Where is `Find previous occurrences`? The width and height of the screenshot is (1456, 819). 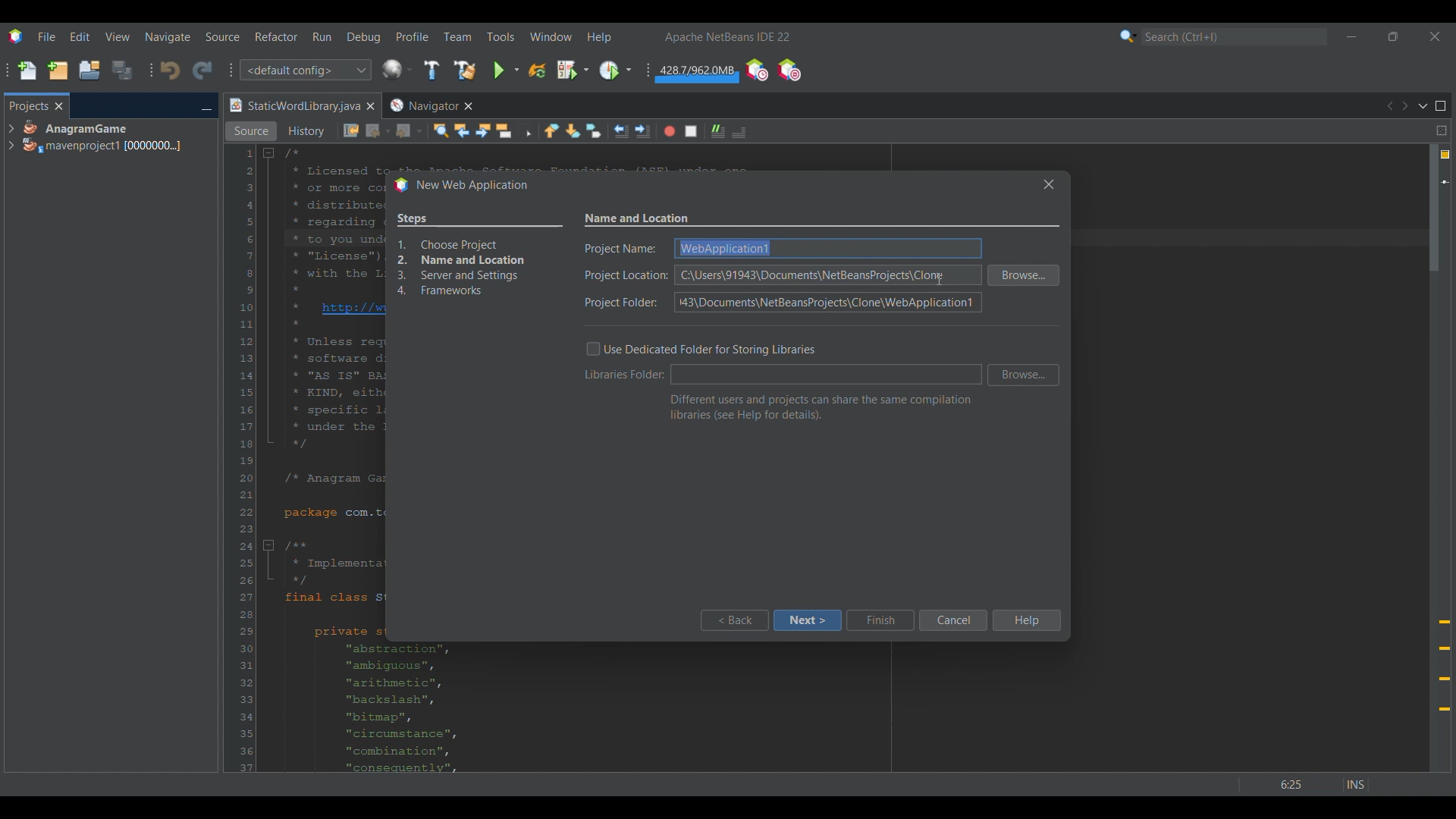 Find previous occurrences is located at coordinates (462, 130).